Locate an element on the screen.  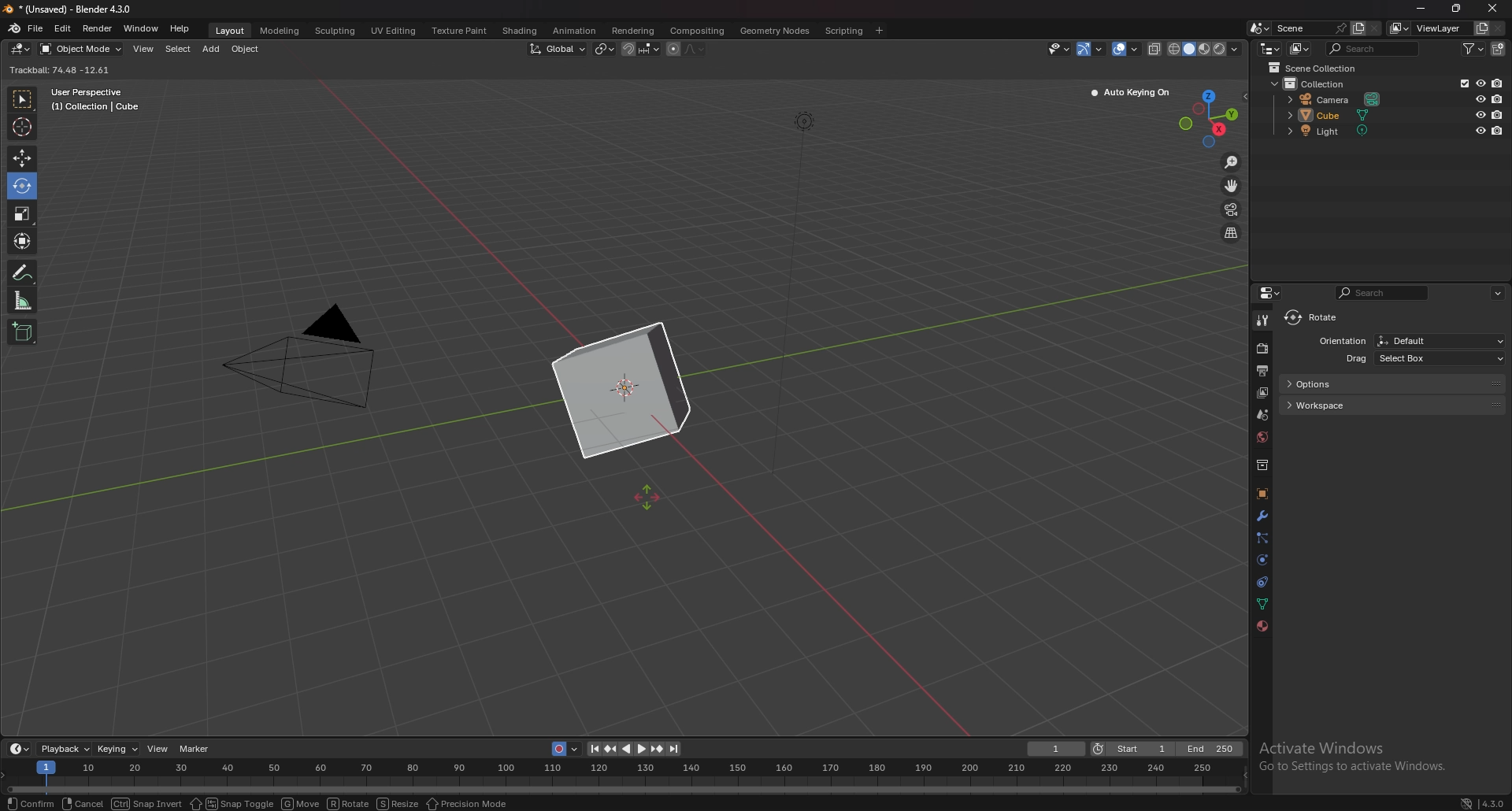
snapping is located at coordinates (641, 49).